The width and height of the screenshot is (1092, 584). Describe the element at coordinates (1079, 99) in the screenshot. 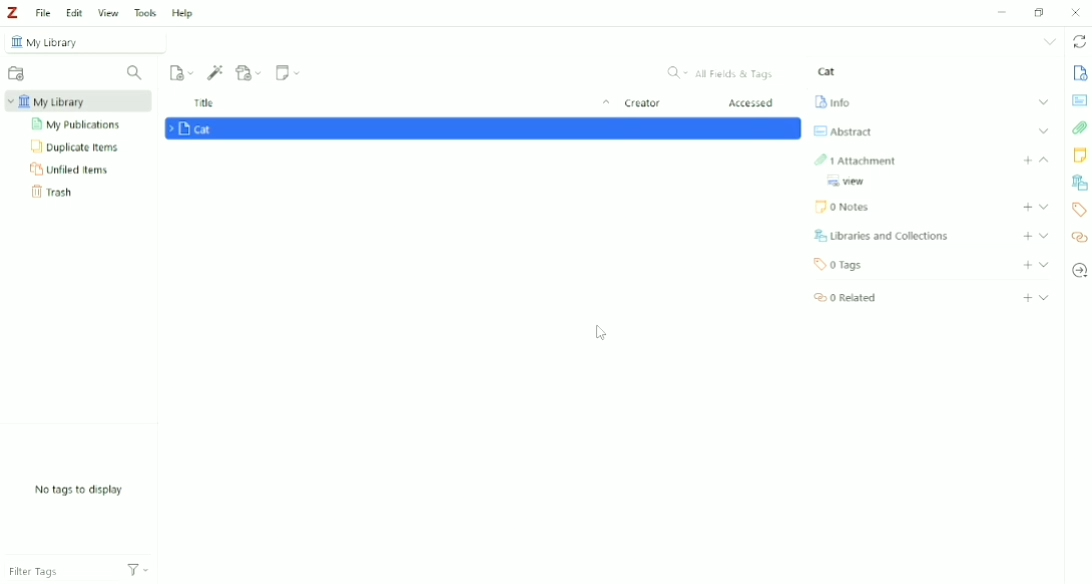

I see `Abstract` at that location.